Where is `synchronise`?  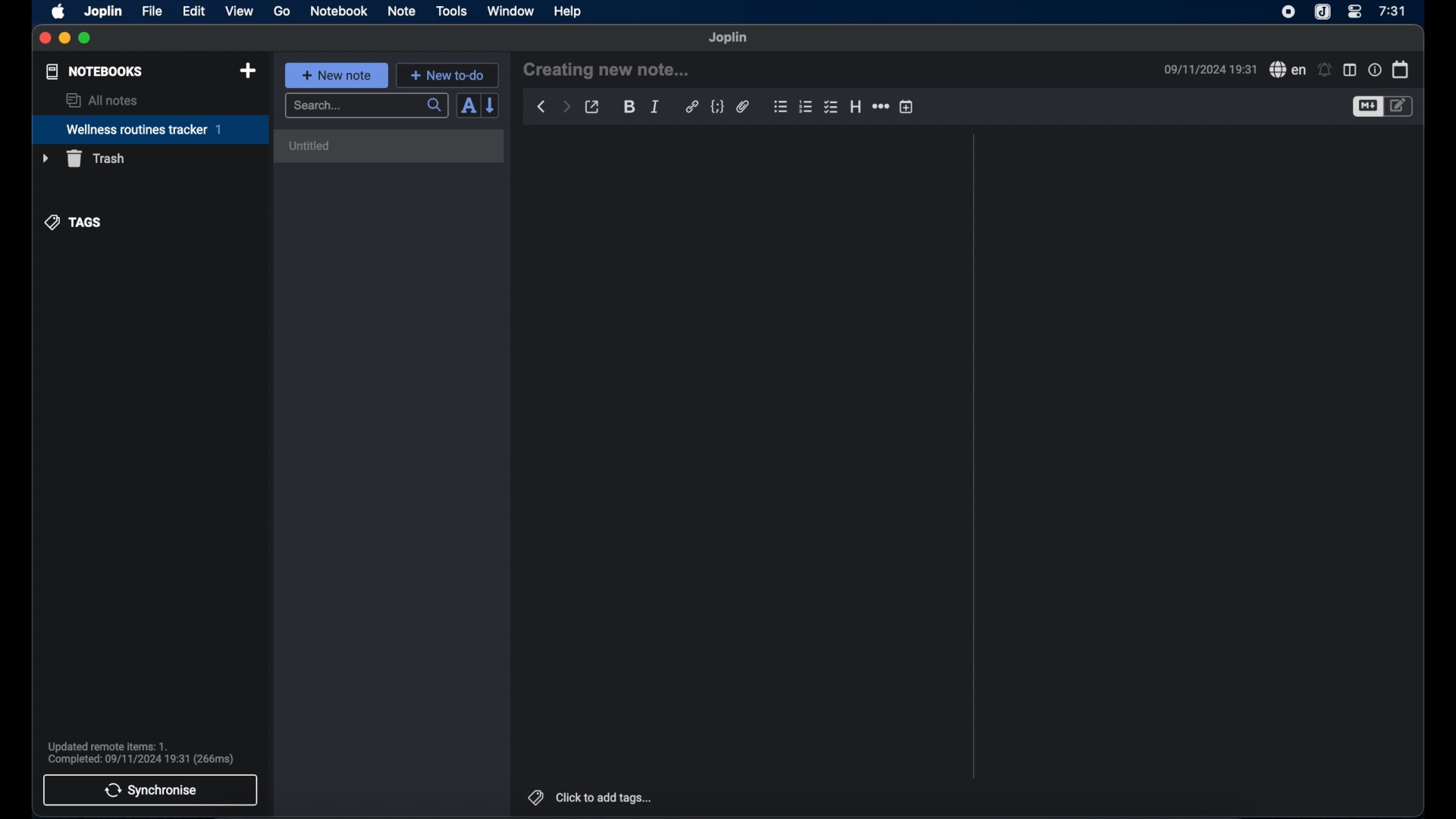 synchronise is located at coordinates (151, 790).